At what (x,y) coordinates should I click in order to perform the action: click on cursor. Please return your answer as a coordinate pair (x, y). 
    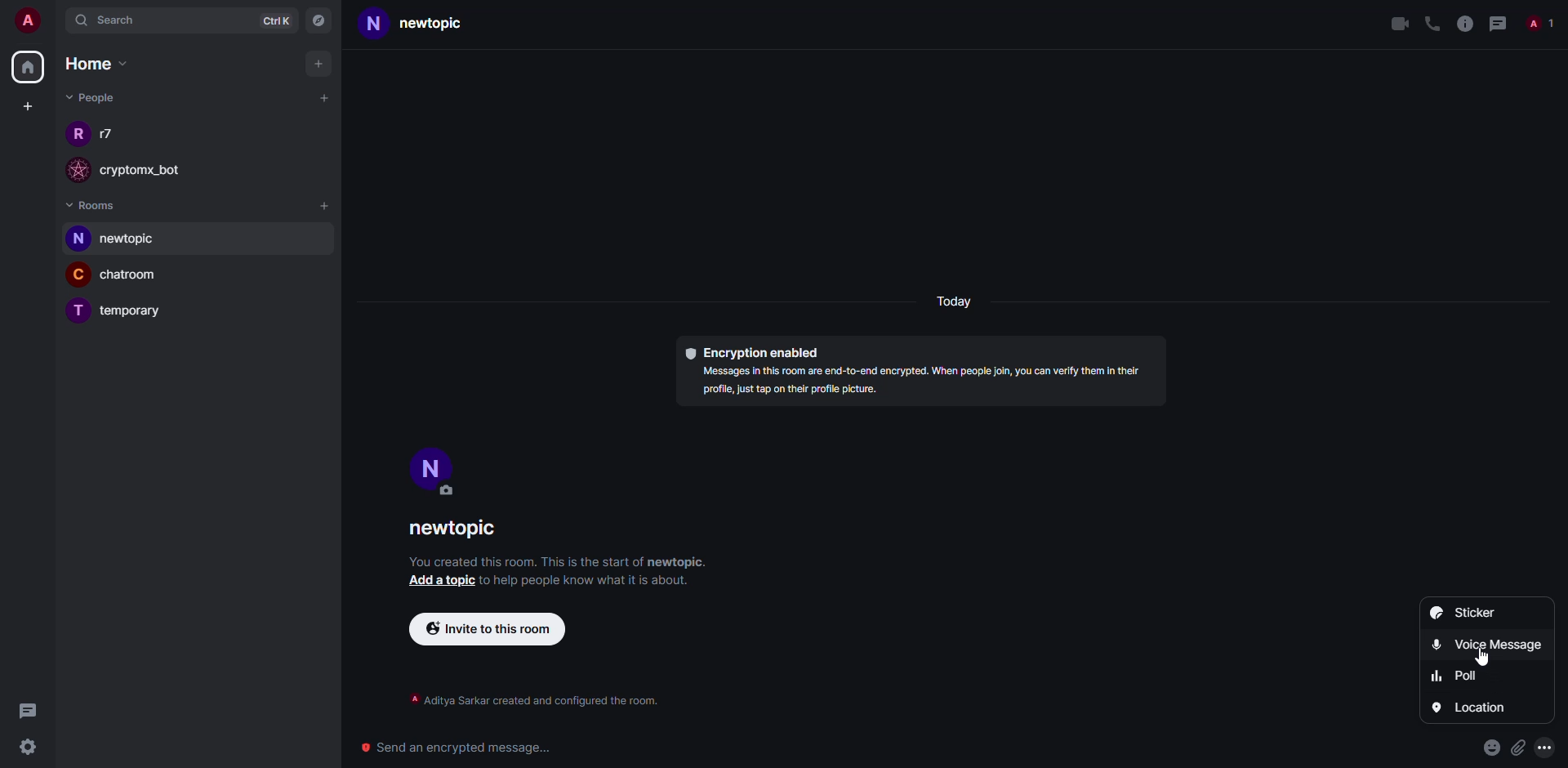
    Looking at the image, I should click on (1488, 657).